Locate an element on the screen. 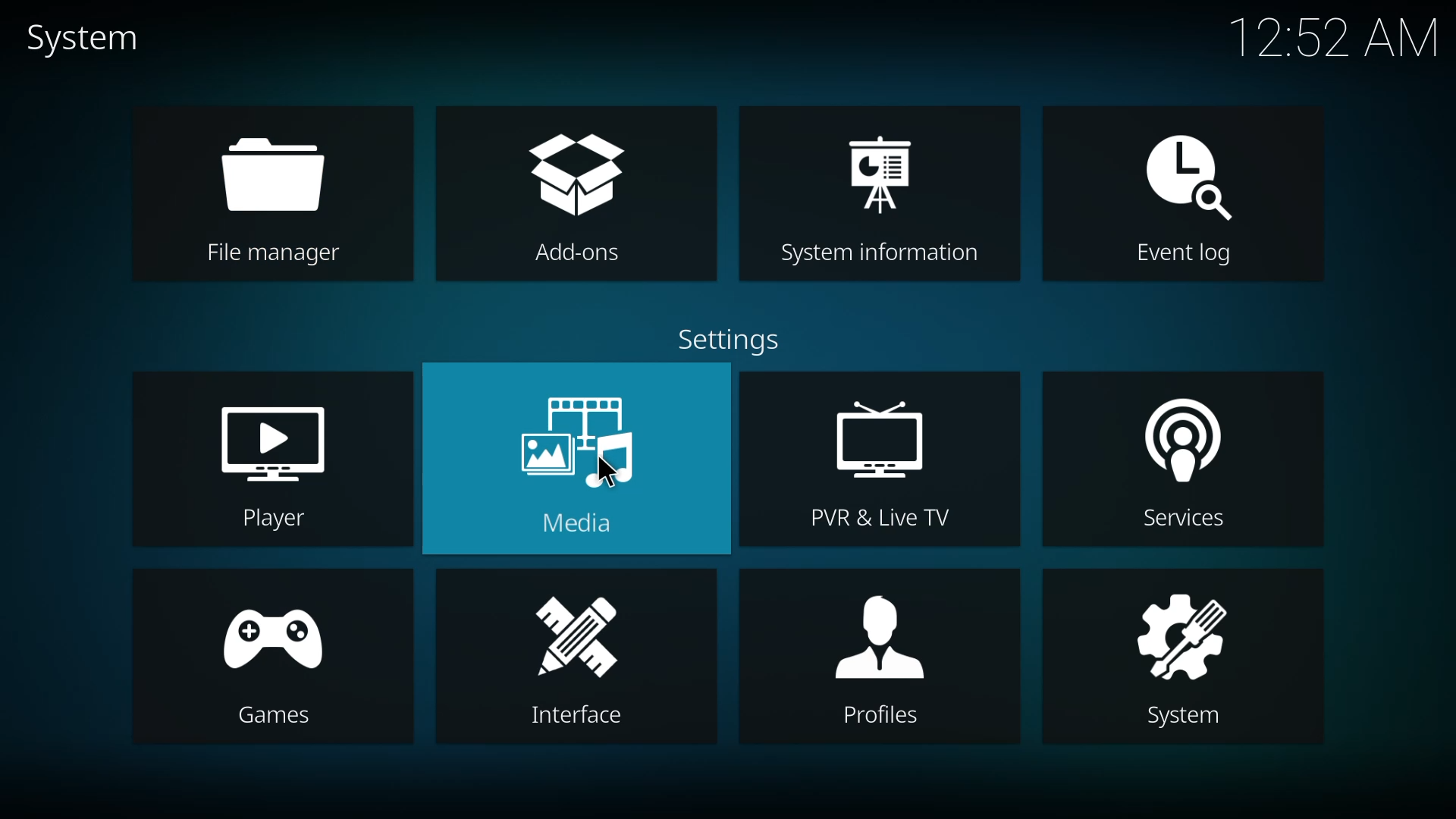  add-ons is located at coordinates (580, 171).